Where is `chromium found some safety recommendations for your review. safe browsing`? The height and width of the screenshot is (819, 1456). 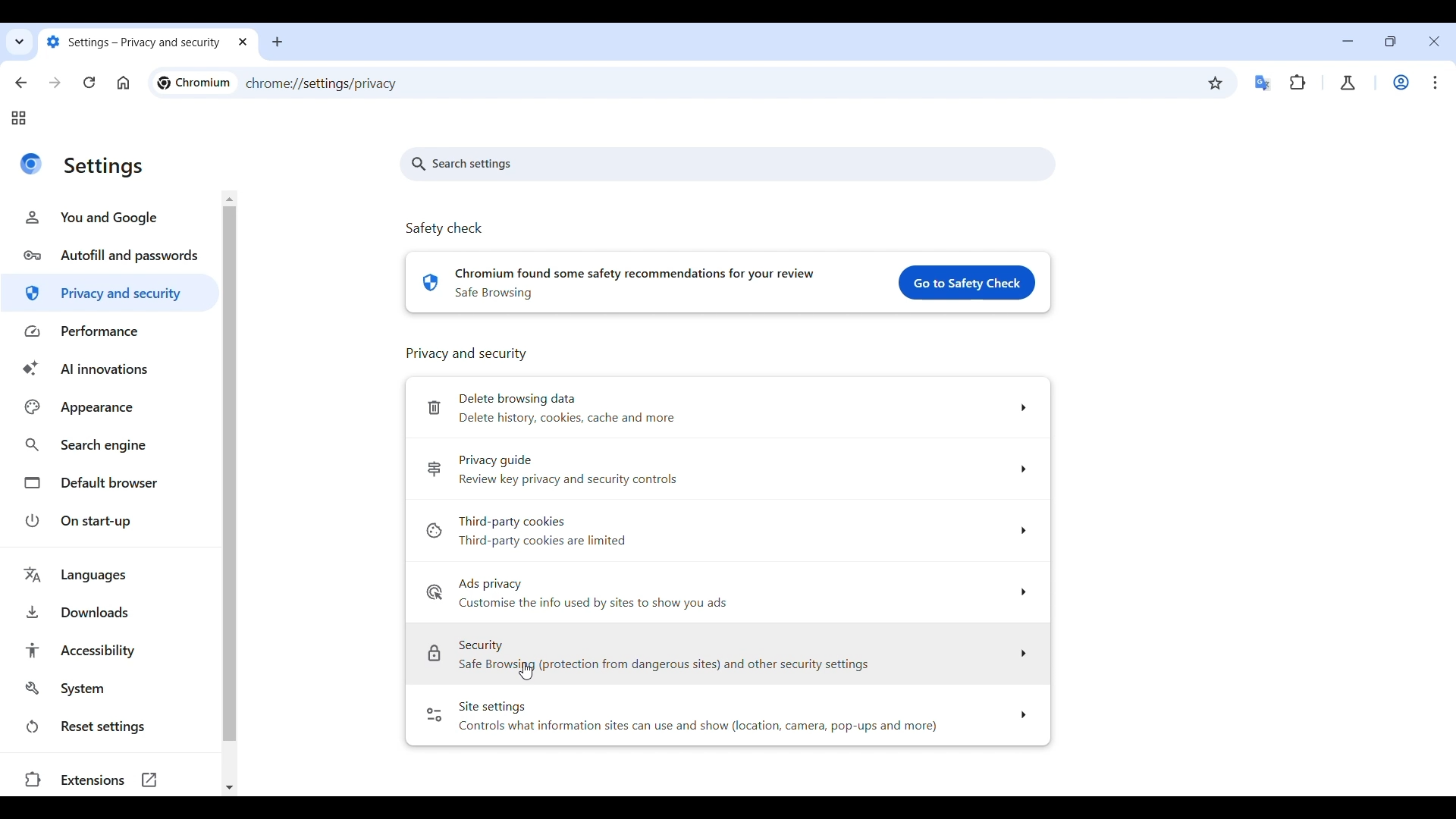
chromium found some safety recommendations for your review. safe browsing is located at coordinates (622, 283).